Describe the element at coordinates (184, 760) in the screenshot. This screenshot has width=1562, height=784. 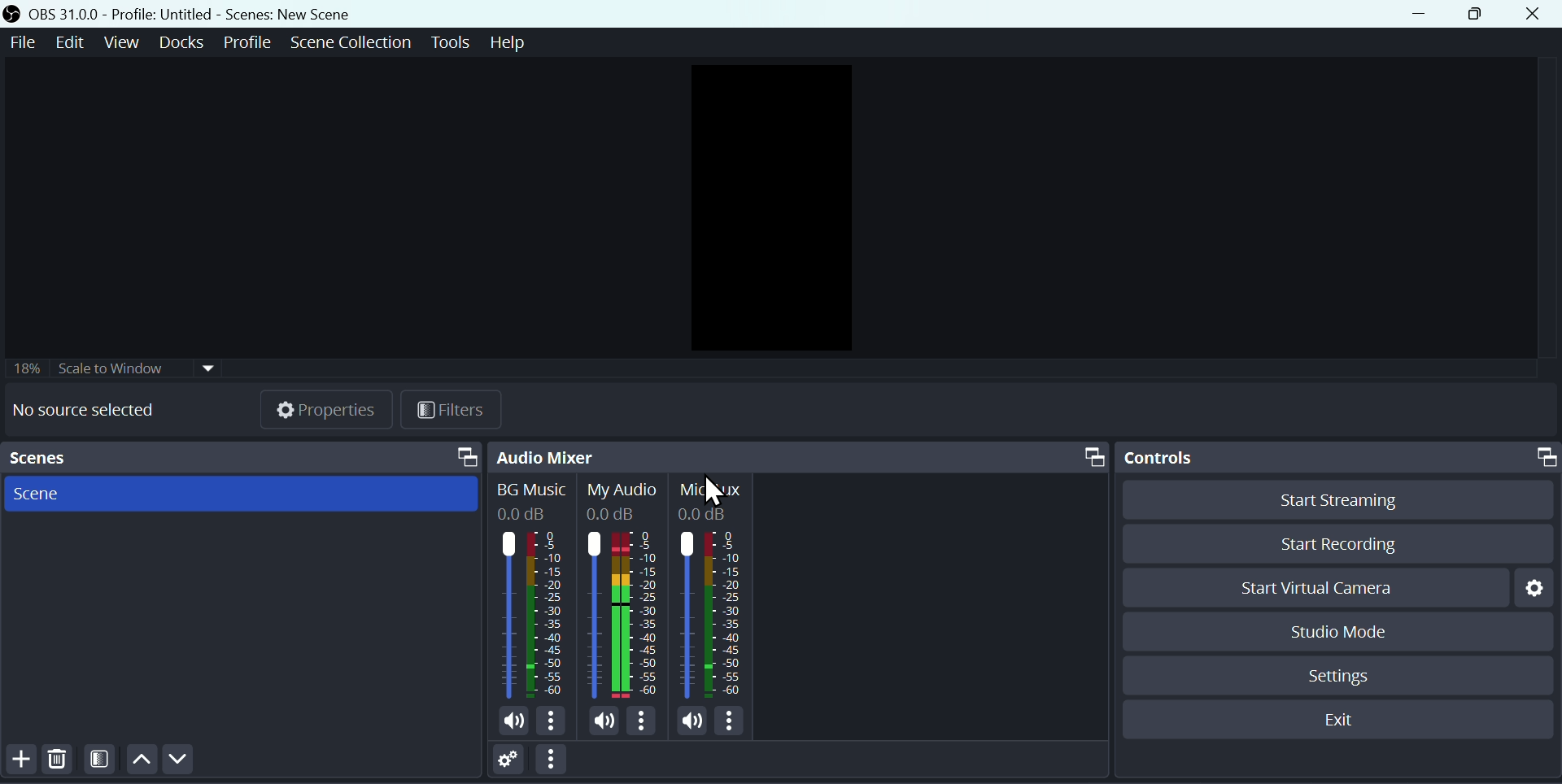
I see `Down` at that location.